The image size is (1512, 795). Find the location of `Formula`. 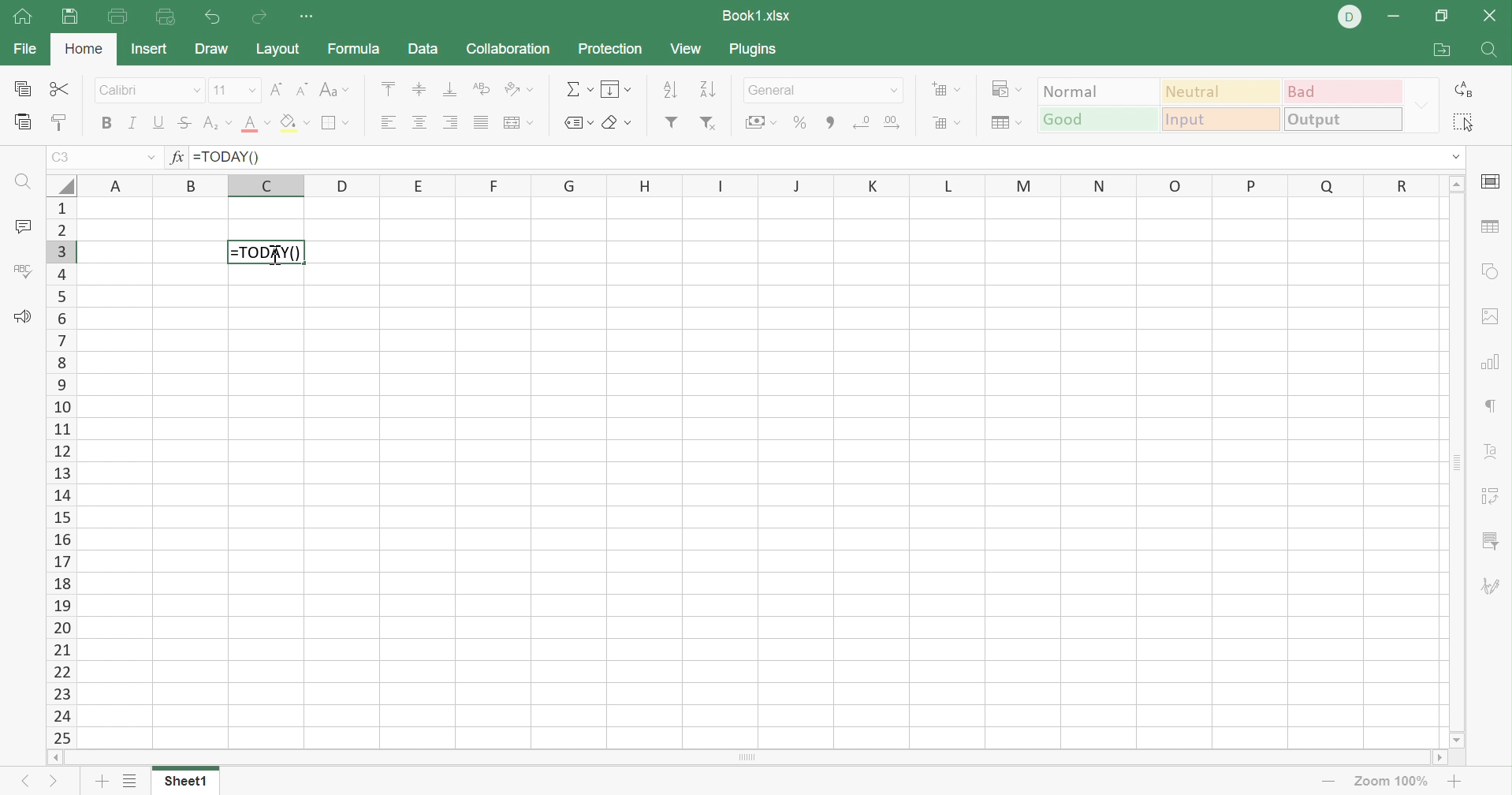

Formula is located at coordinates (357, 48).